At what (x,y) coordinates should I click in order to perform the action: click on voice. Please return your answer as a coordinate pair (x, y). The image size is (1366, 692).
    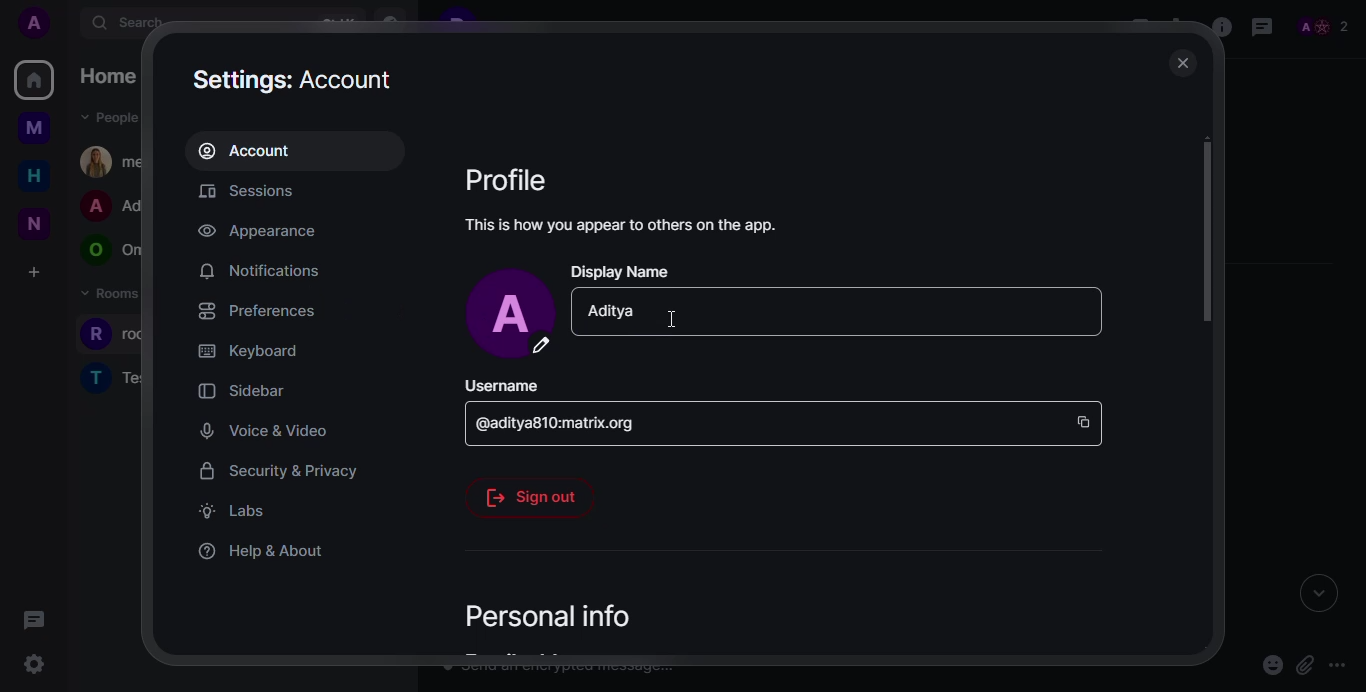
    Looking at the image, I should click on (263, 429).